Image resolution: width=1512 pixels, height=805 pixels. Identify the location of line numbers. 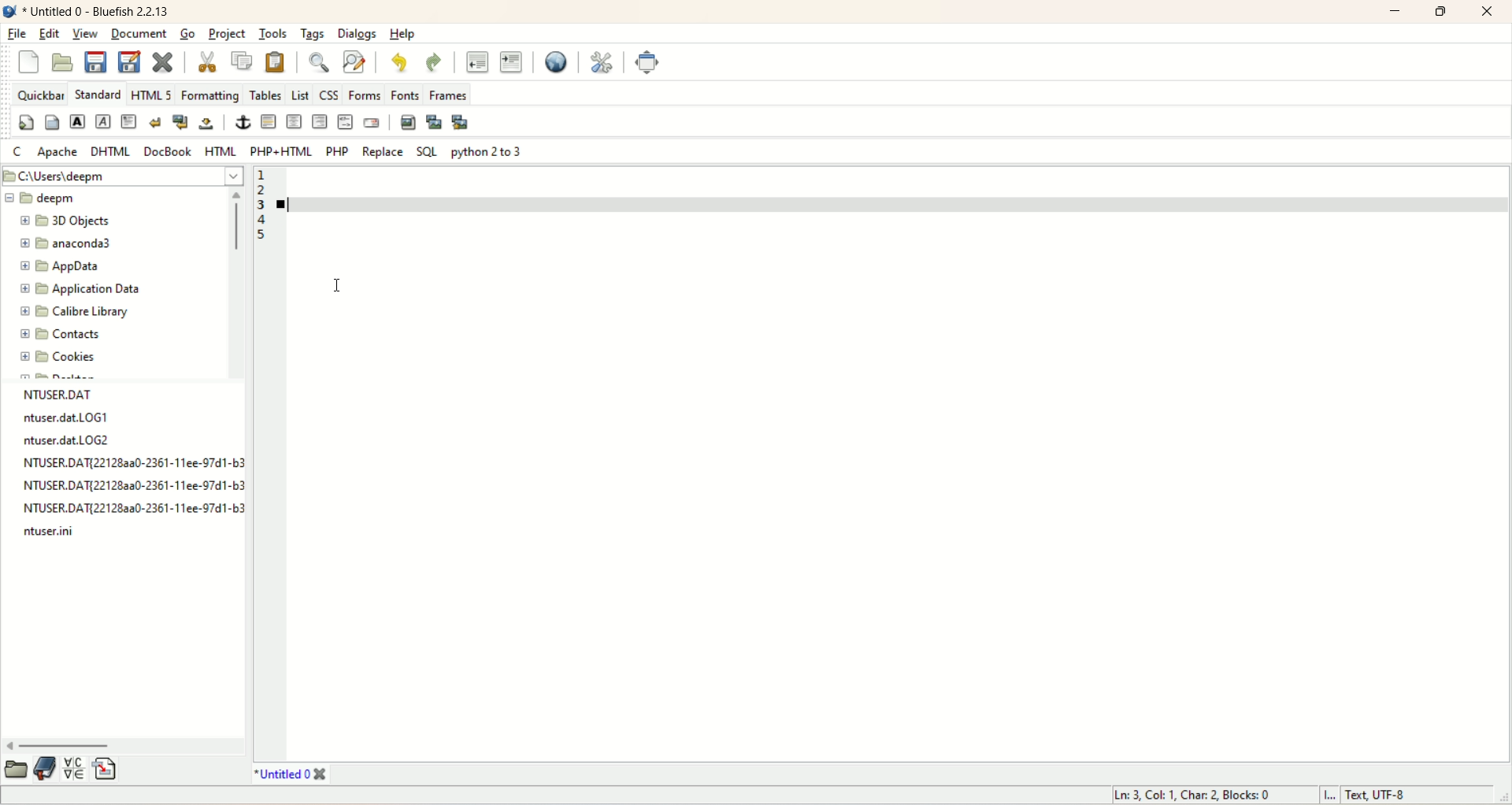
(261, 208).